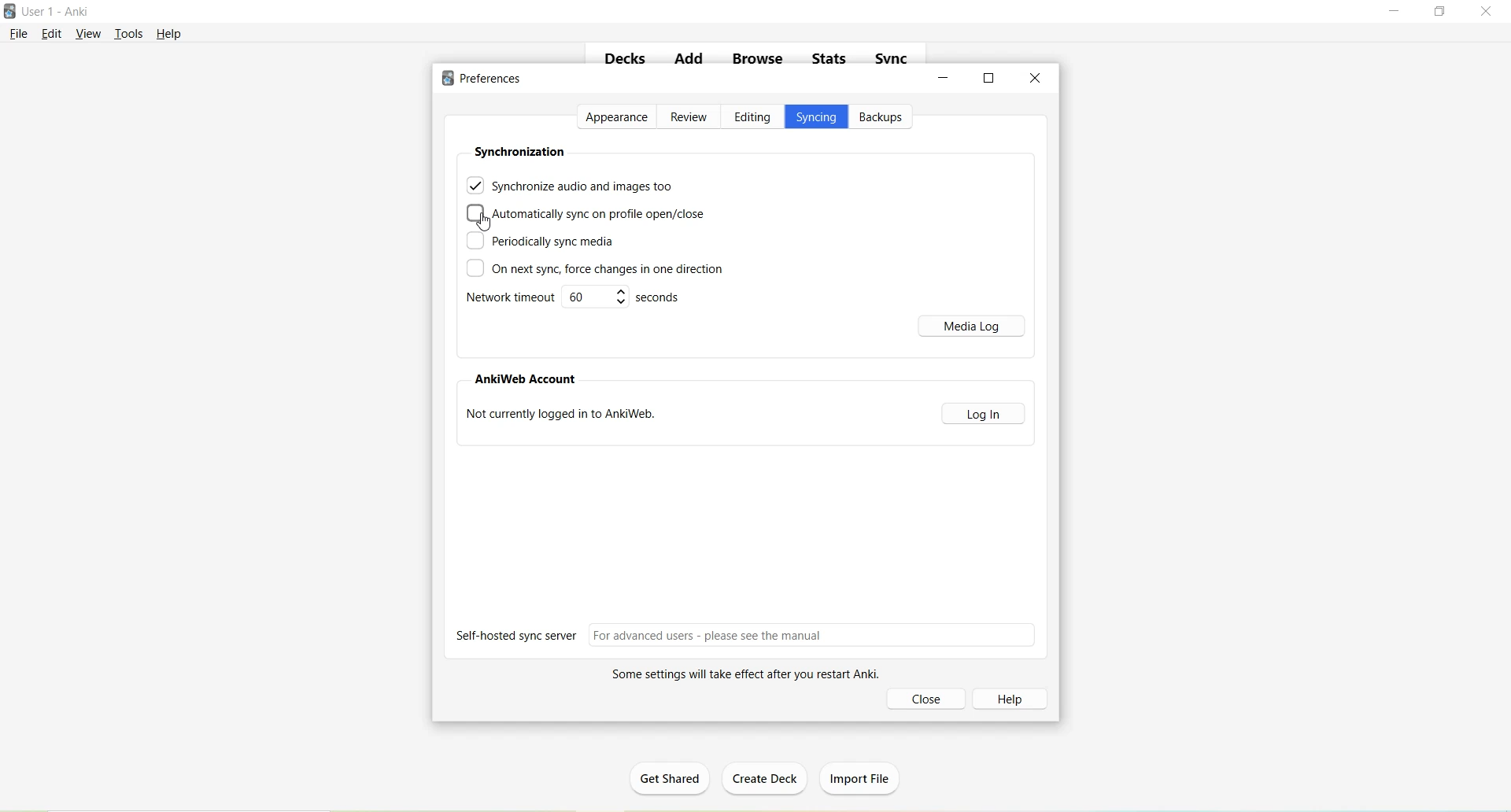 This screenshot has width=1511, height=812. Describe the element at coordinates (985, 413) in the screenshot. I see `Log In` at that location.